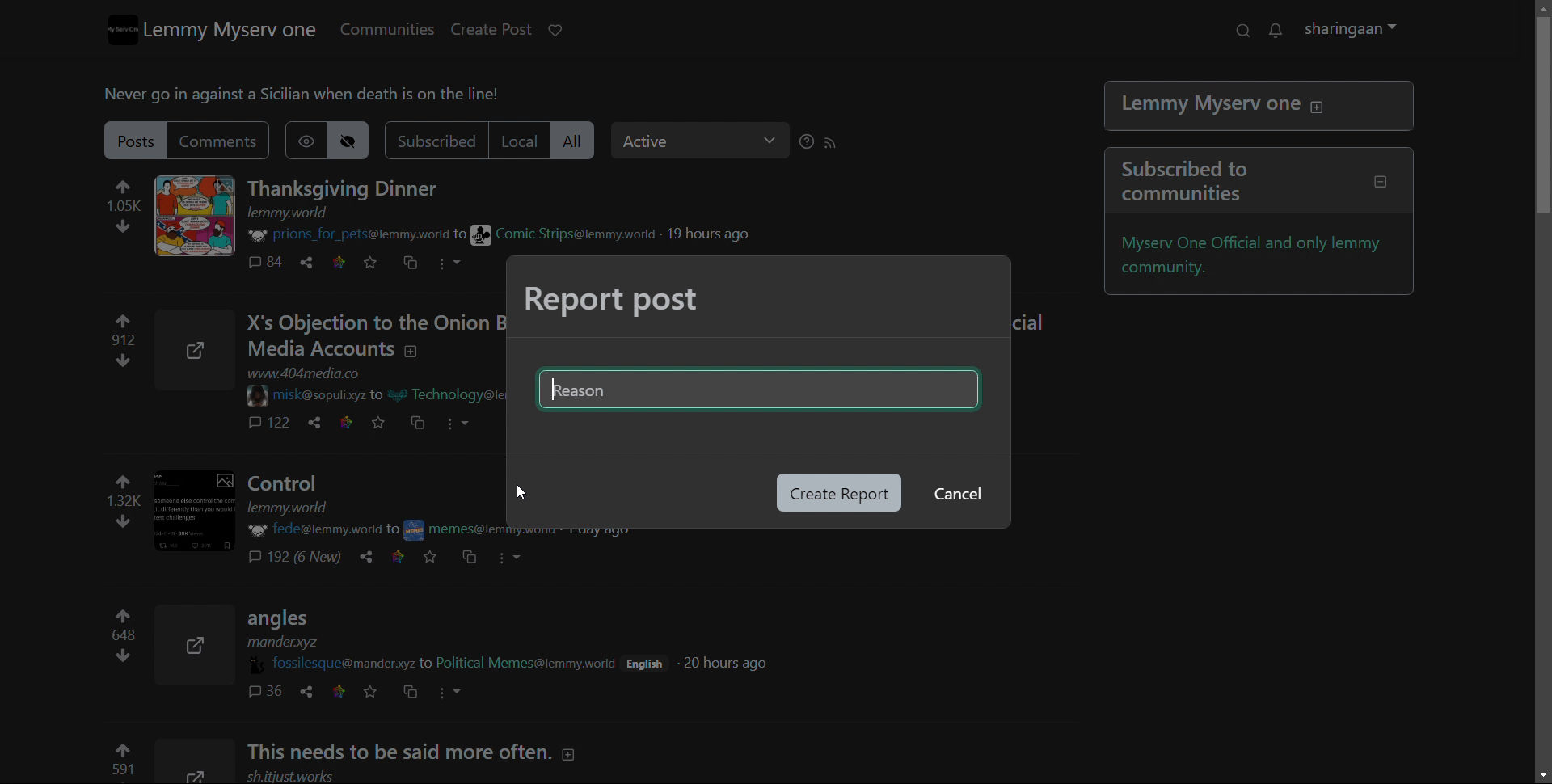 This screenshot has width=1552, height=784. I want to click on search, so click(1250, 31).